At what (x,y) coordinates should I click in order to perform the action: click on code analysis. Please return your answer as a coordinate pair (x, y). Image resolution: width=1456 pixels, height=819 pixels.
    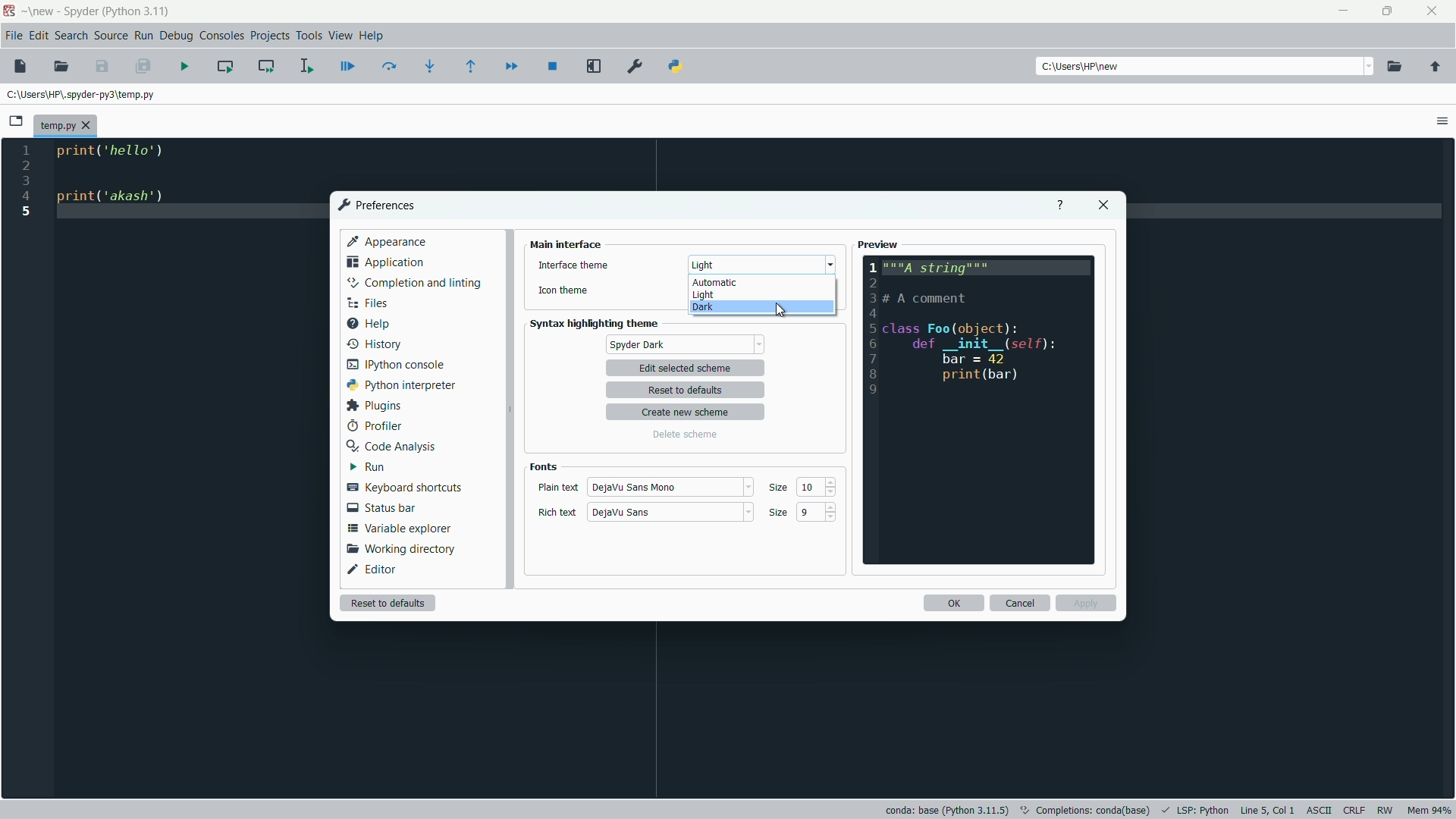
    Looking at the image, I should click on (389, 446).